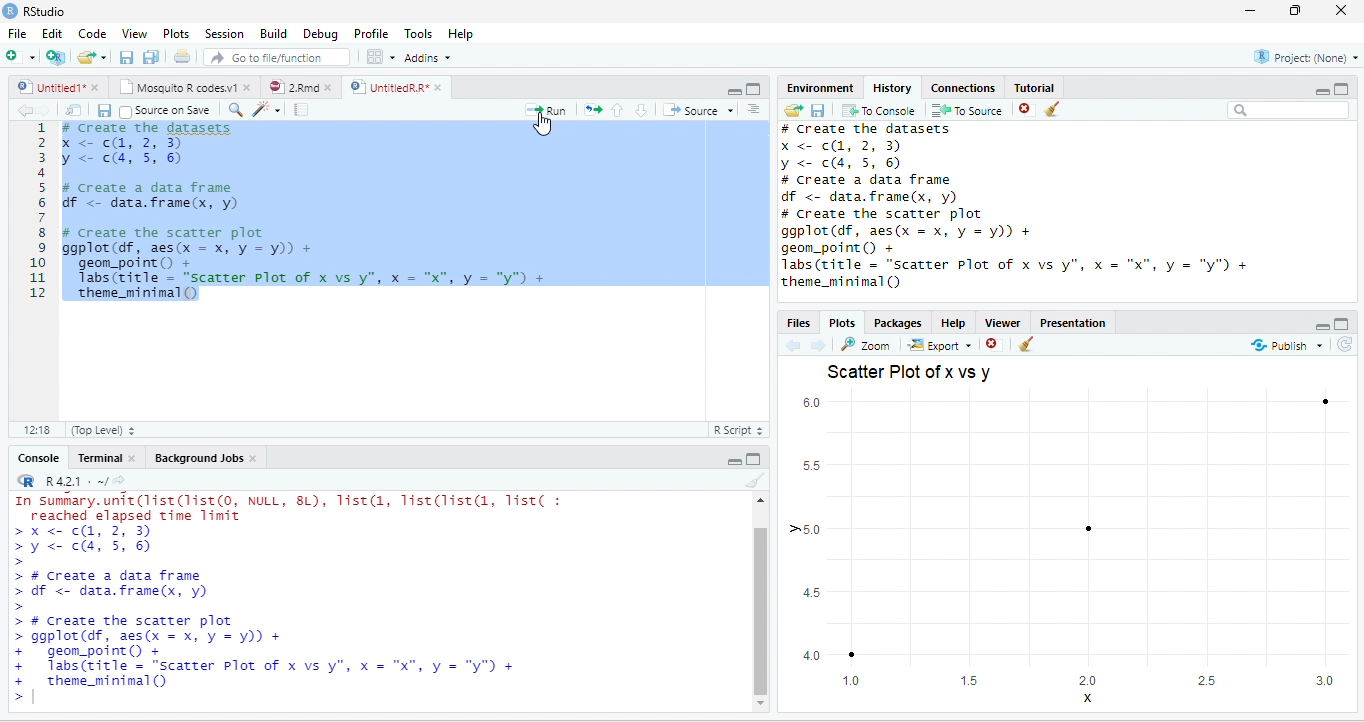 This screenshot has width=1364, height=722. Describe the element at coordinates (182, 56) in the screenshot. I see `Print the current file` at that location.